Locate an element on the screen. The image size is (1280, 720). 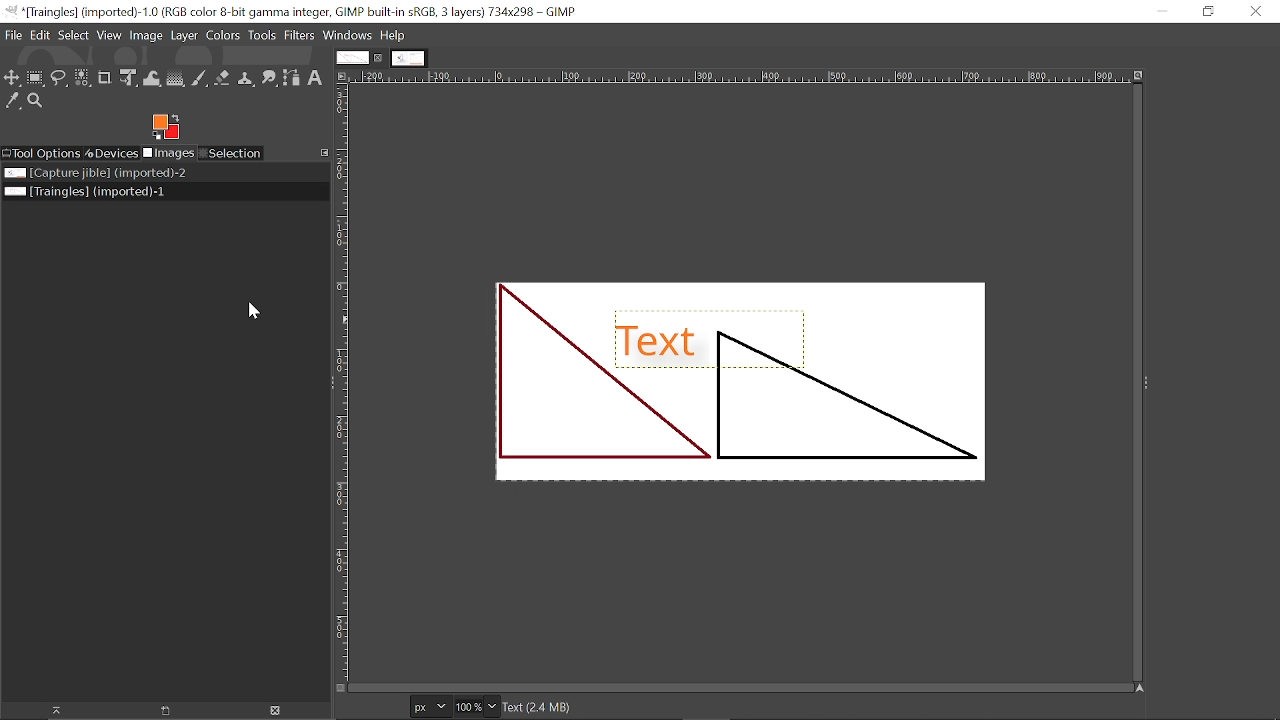
Gradient tool is located at coordinates (176, 79).